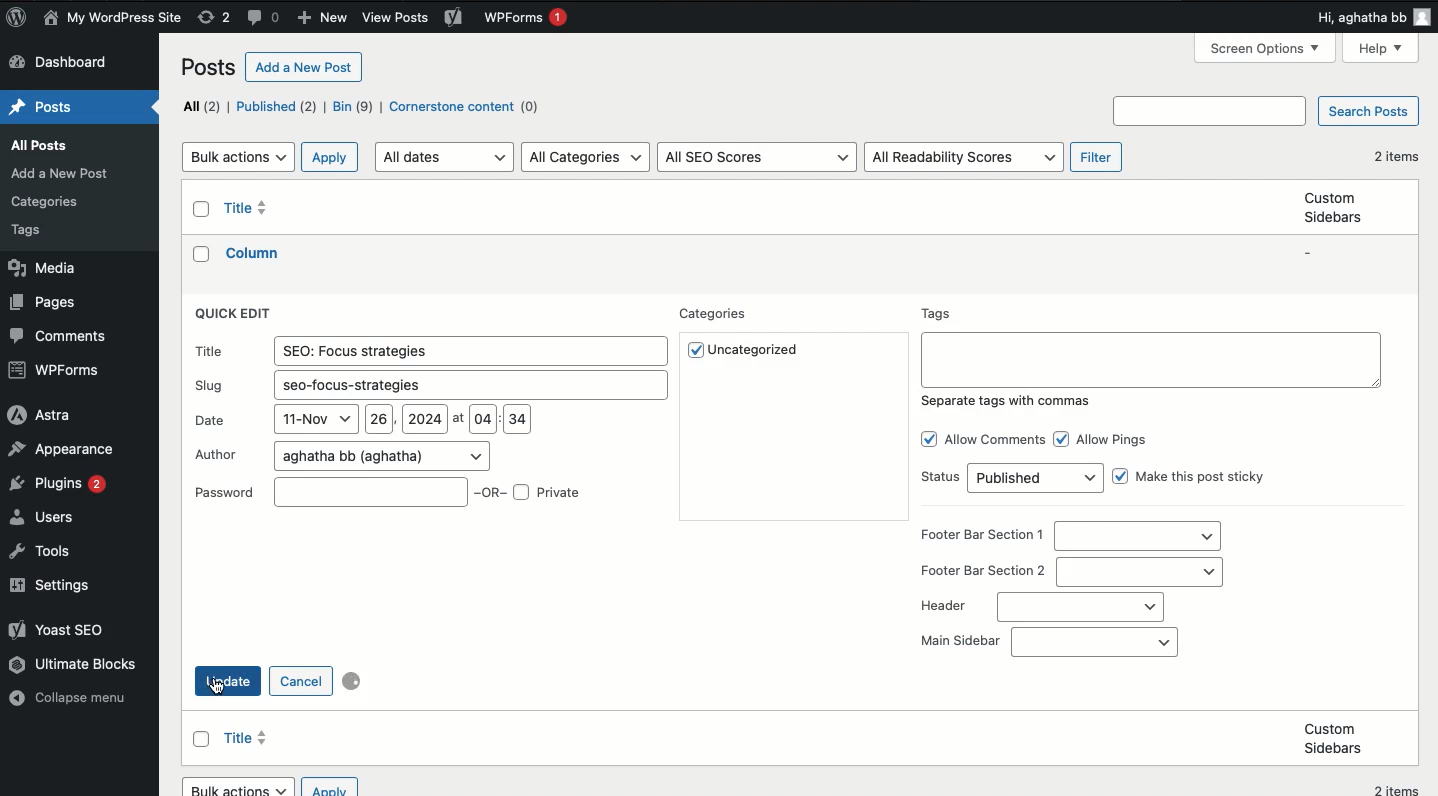 This screenshot has height=796, width=1438. I want to click on Checkbox, so click(522, 493).